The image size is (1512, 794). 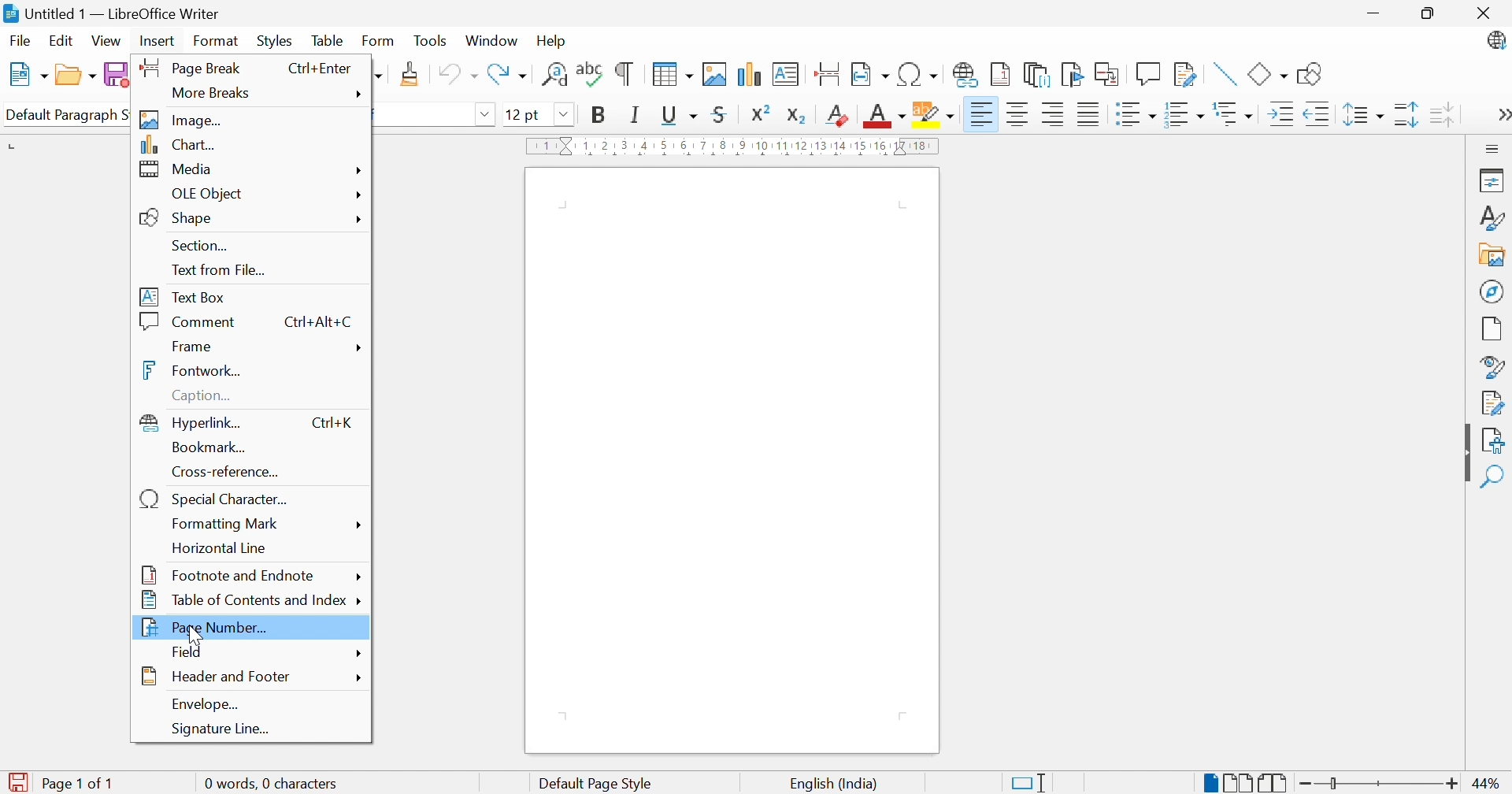 I want to click on Insert table, so click(x=669, y=74).